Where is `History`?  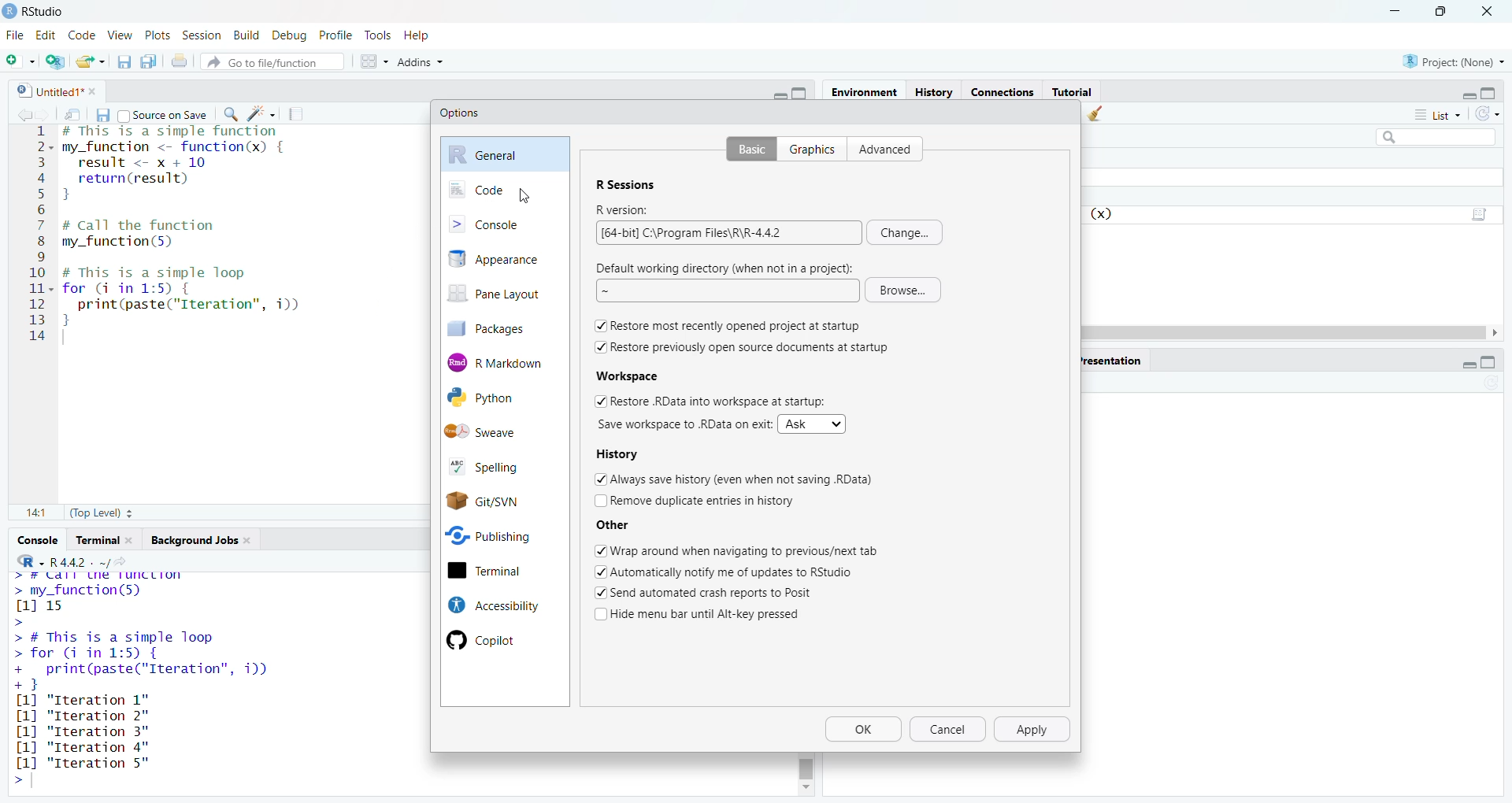 History is located at coordinates (621, 455).